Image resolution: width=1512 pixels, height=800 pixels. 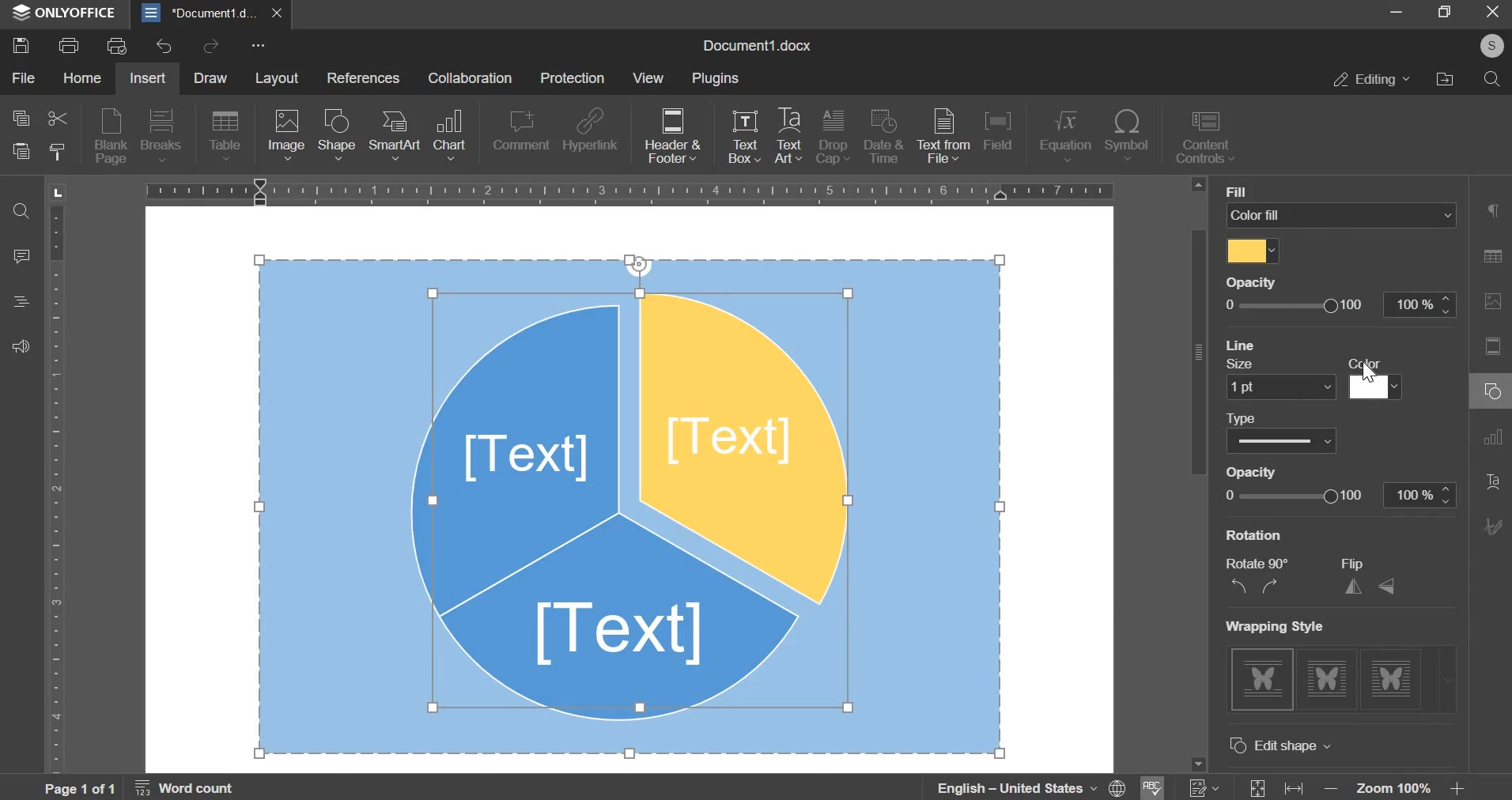 What do you see at coordinates (81, 80) in the screenshot?
I see `home` at bounding box center [81, 80].